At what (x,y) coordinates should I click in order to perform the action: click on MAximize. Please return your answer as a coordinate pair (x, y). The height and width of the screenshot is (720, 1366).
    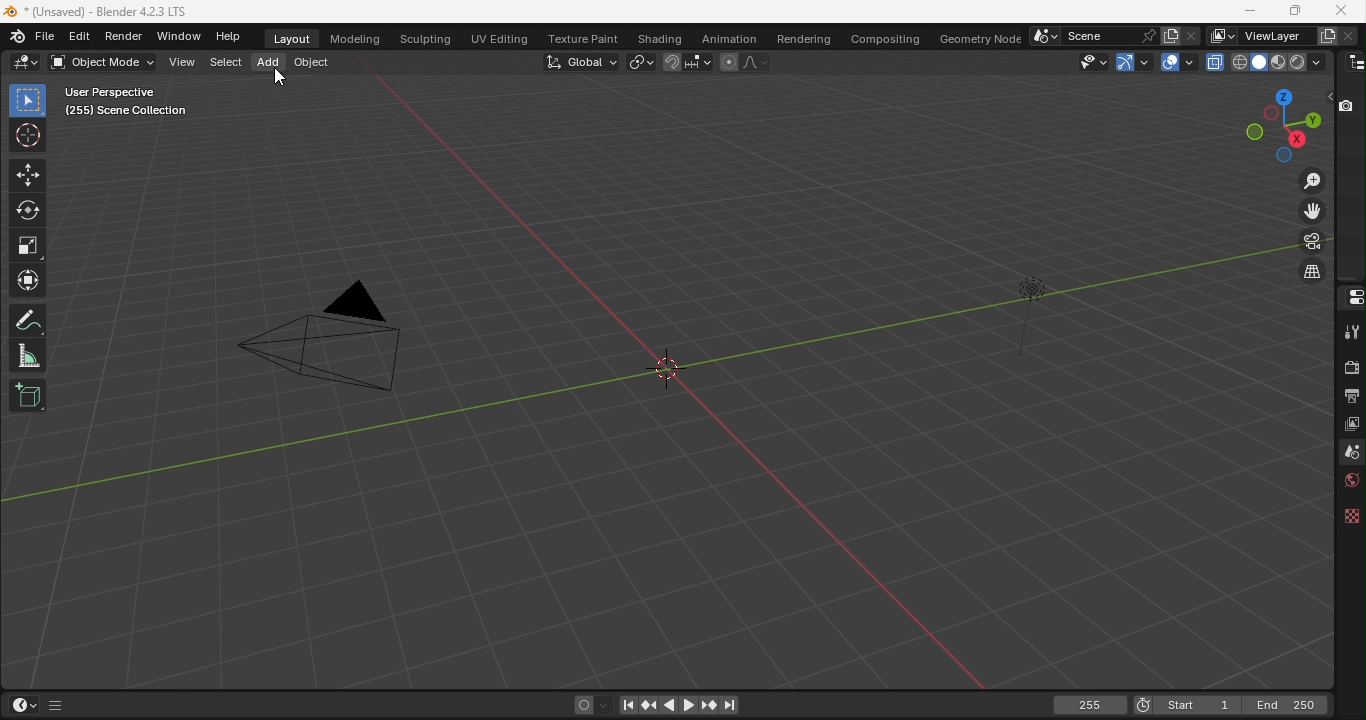
    Looking at the image, I should click on (1297, 12).